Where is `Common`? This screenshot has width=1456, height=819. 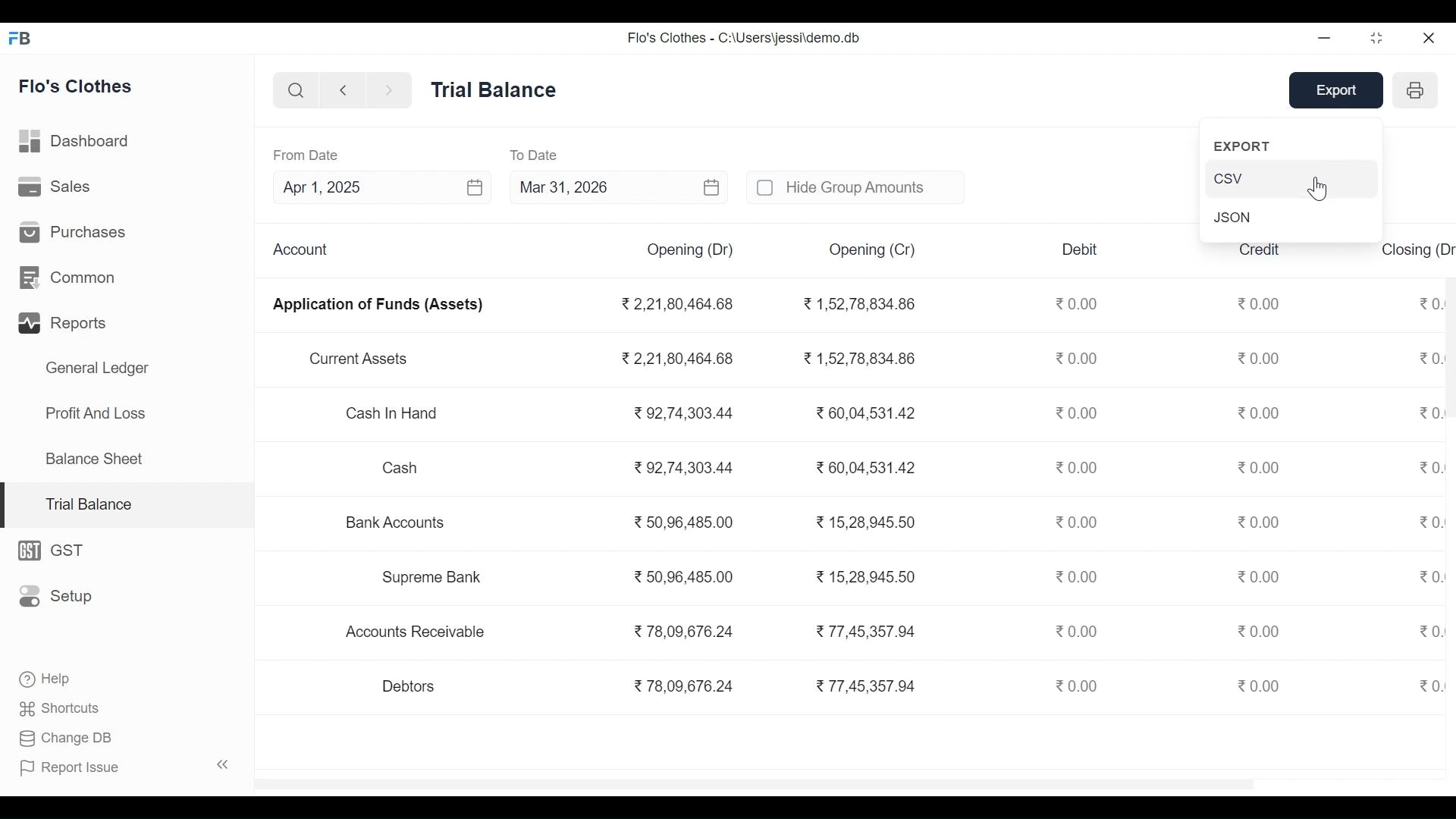
Common is located at coordinates (70, 276).